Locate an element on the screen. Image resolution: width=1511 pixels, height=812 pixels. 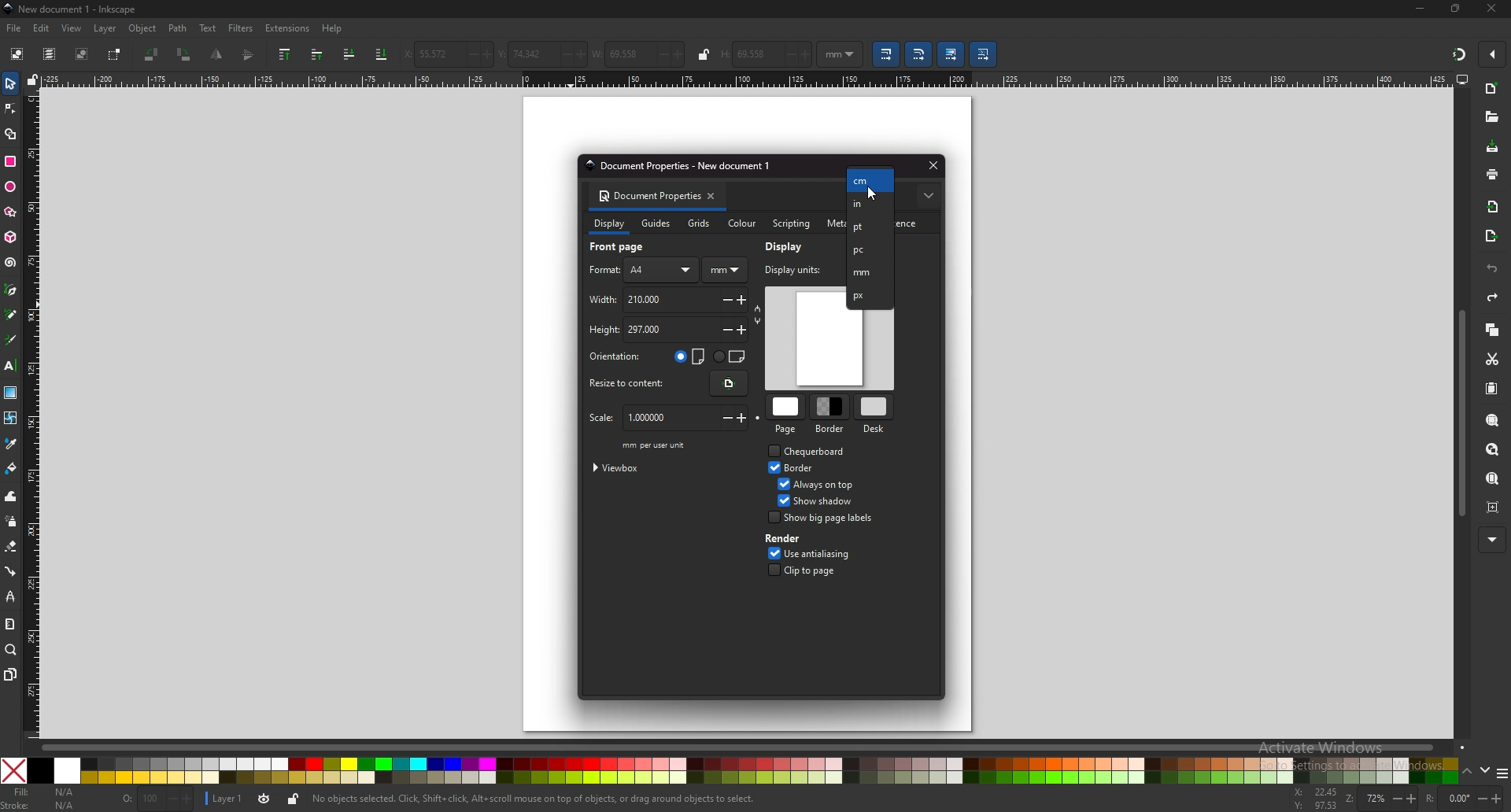
mm per user unit is located at coordinates (656, 445).